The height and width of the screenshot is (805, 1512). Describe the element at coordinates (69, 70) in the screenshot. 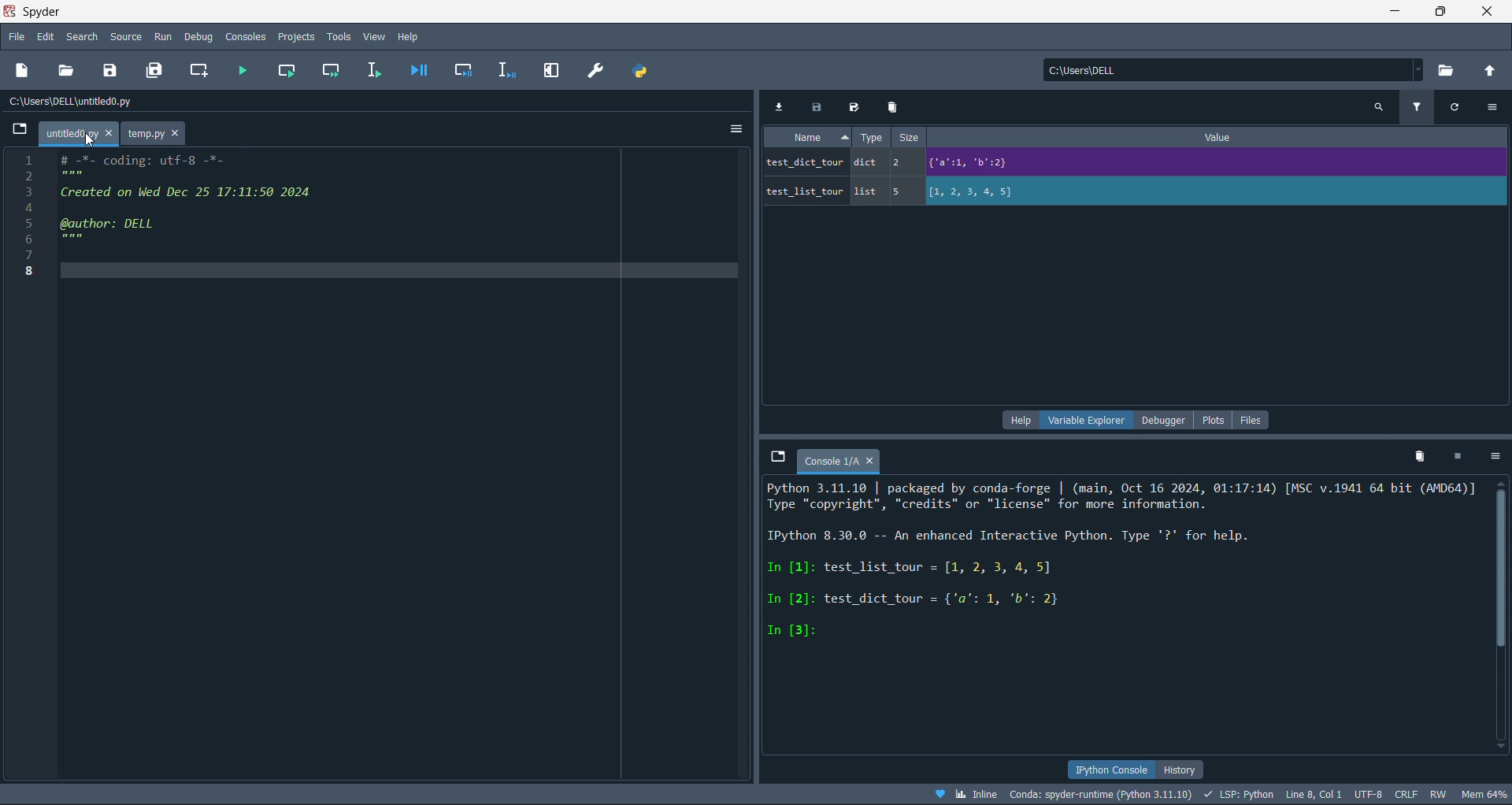

I see `open file` at that location.